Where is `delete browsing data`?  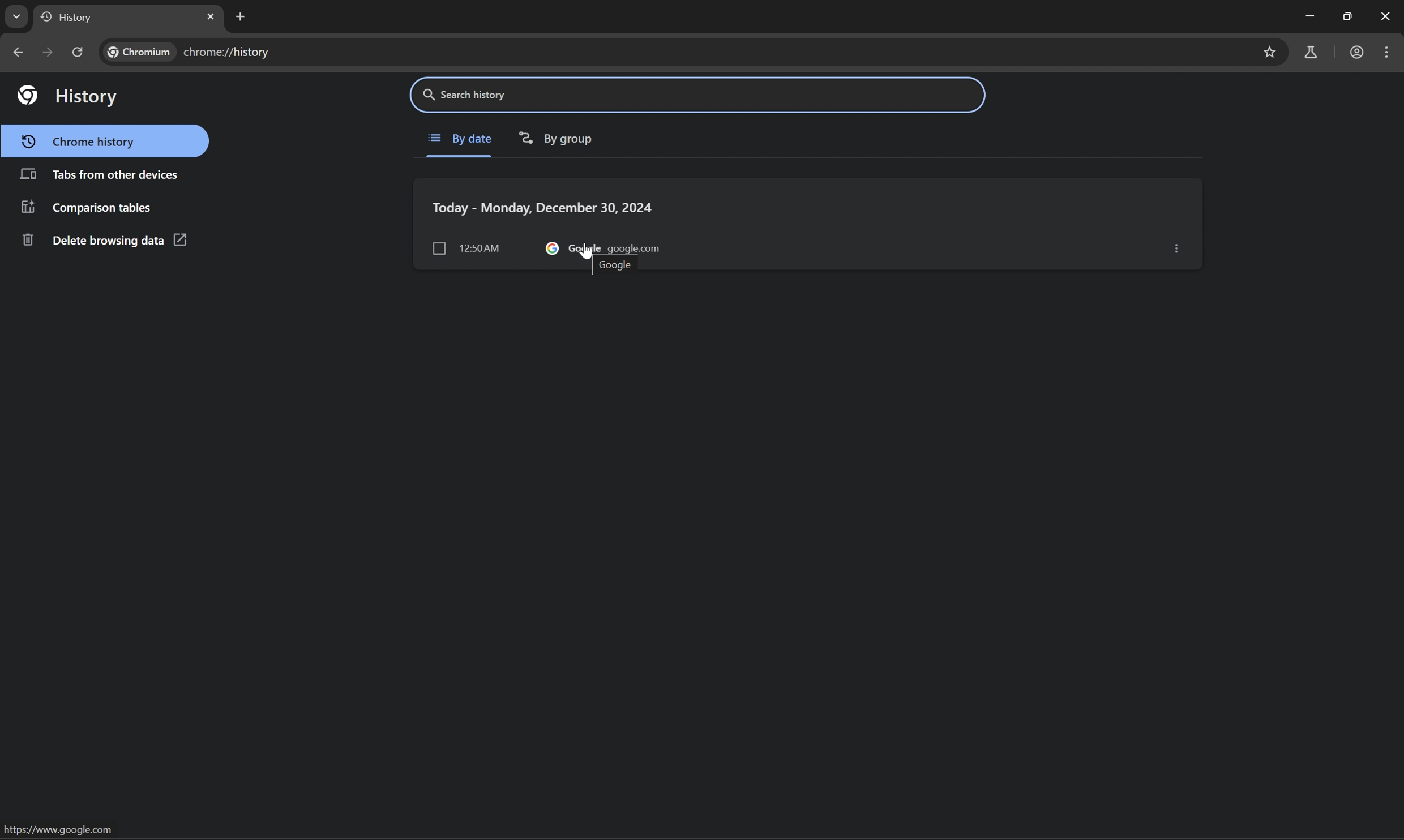
delete browsing data is located at coordinates (105, 240).